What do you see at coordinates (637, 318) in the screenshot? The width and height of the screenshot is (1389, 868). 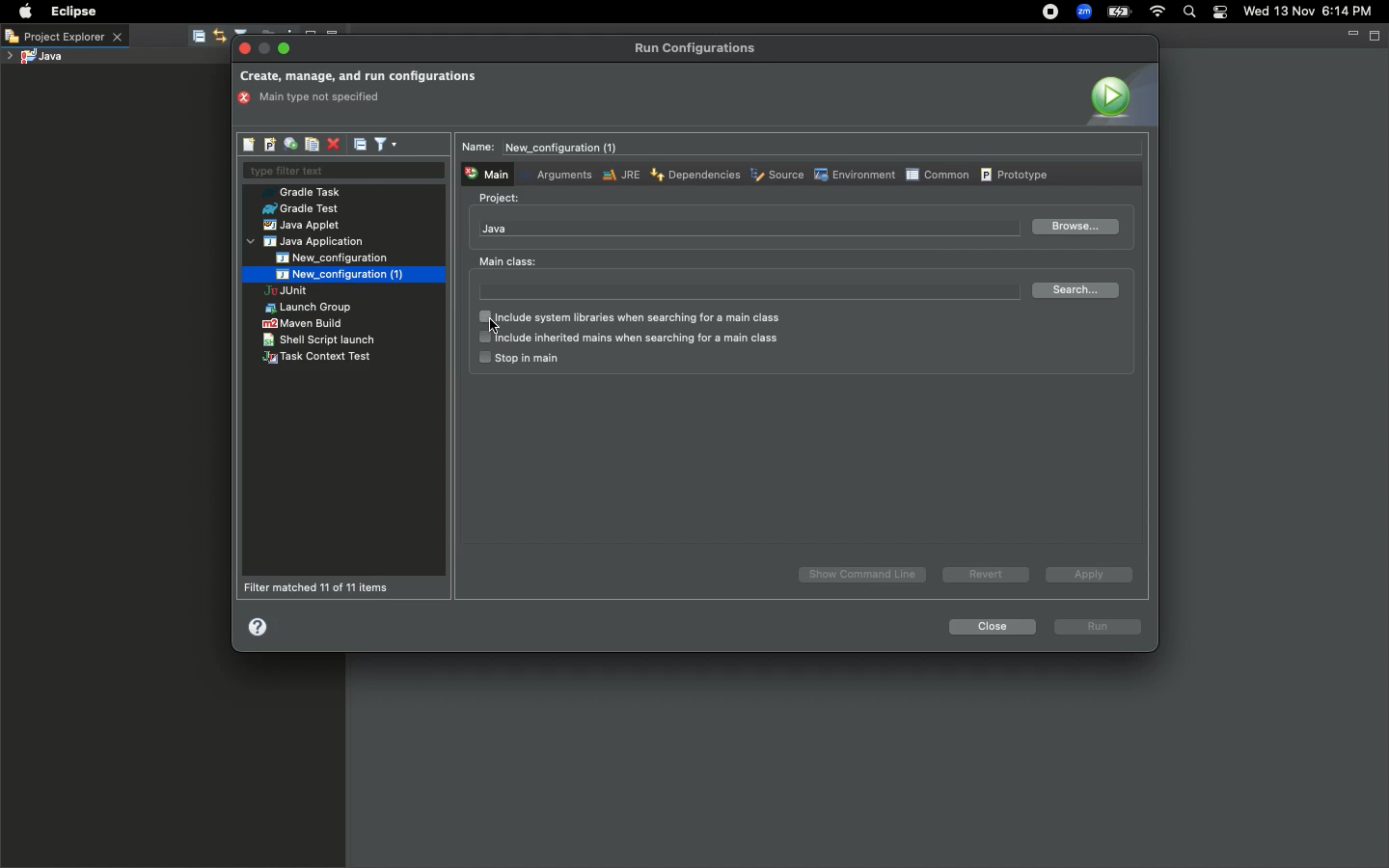 I see `include system libraries when searching for a main class` at bounding box center [637, 318].